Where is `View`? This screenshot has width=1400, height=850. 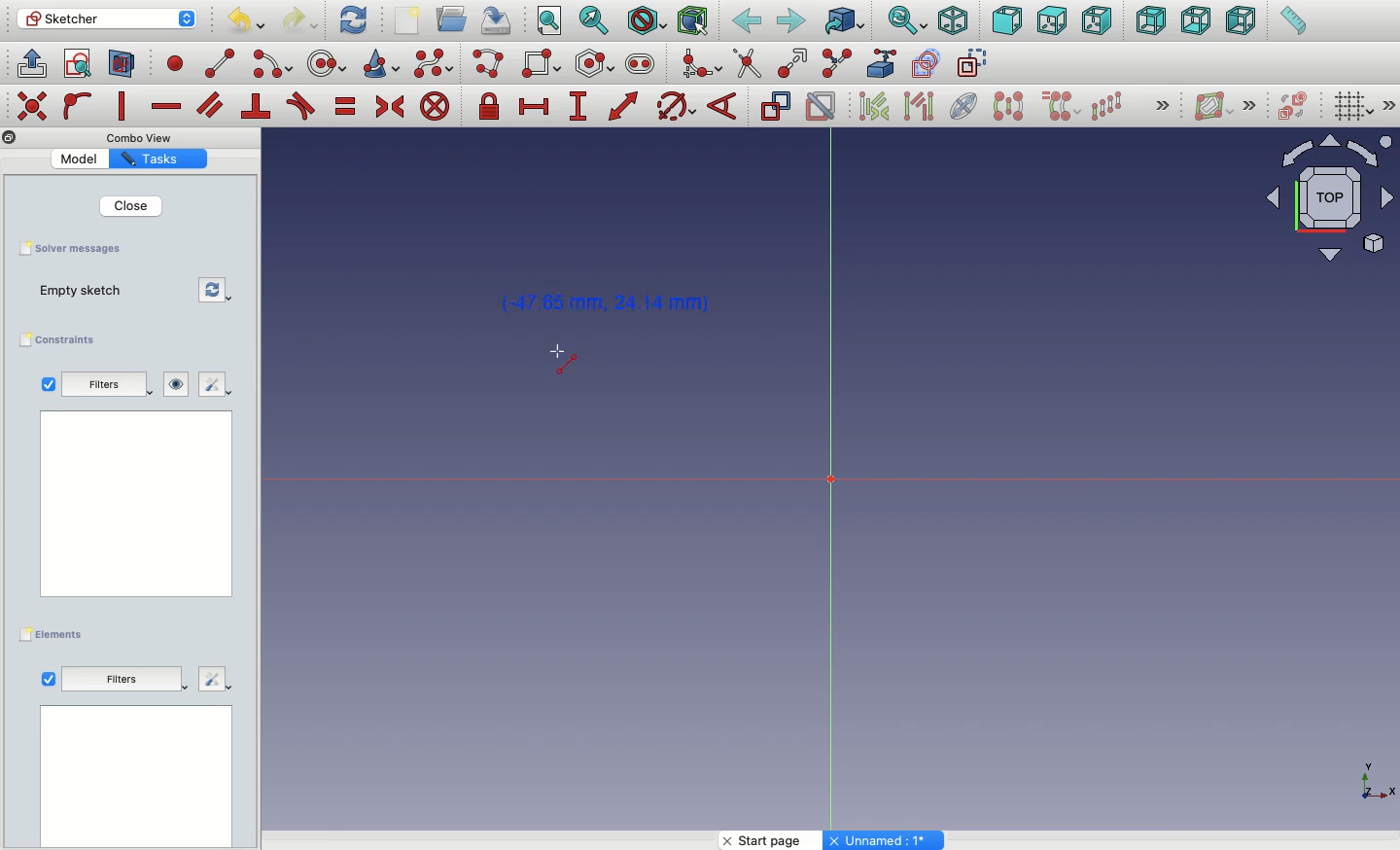
View is located at coordinates (48, 678).